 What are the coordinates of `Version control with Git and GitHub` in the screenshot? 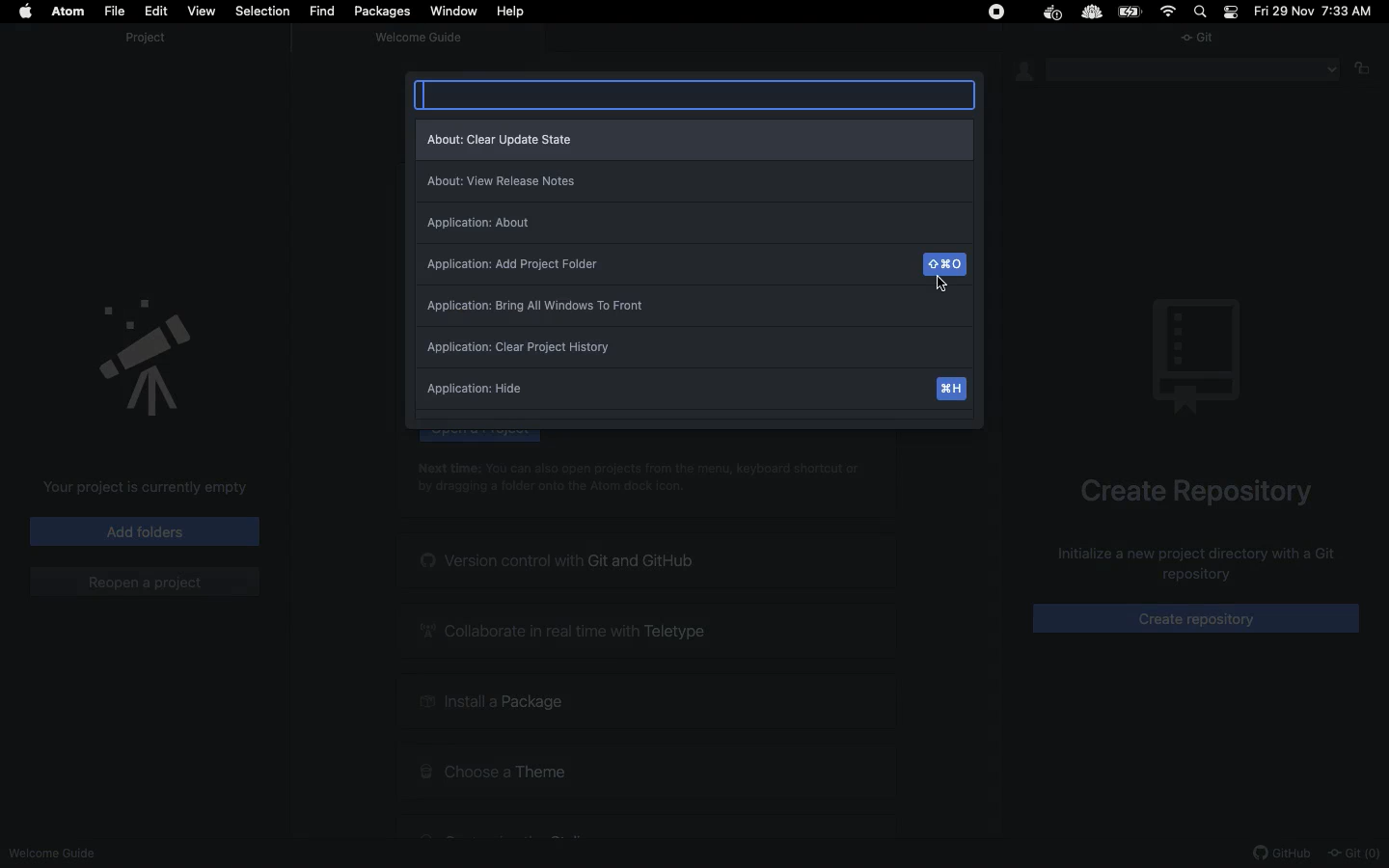 It's located at (646, 561).